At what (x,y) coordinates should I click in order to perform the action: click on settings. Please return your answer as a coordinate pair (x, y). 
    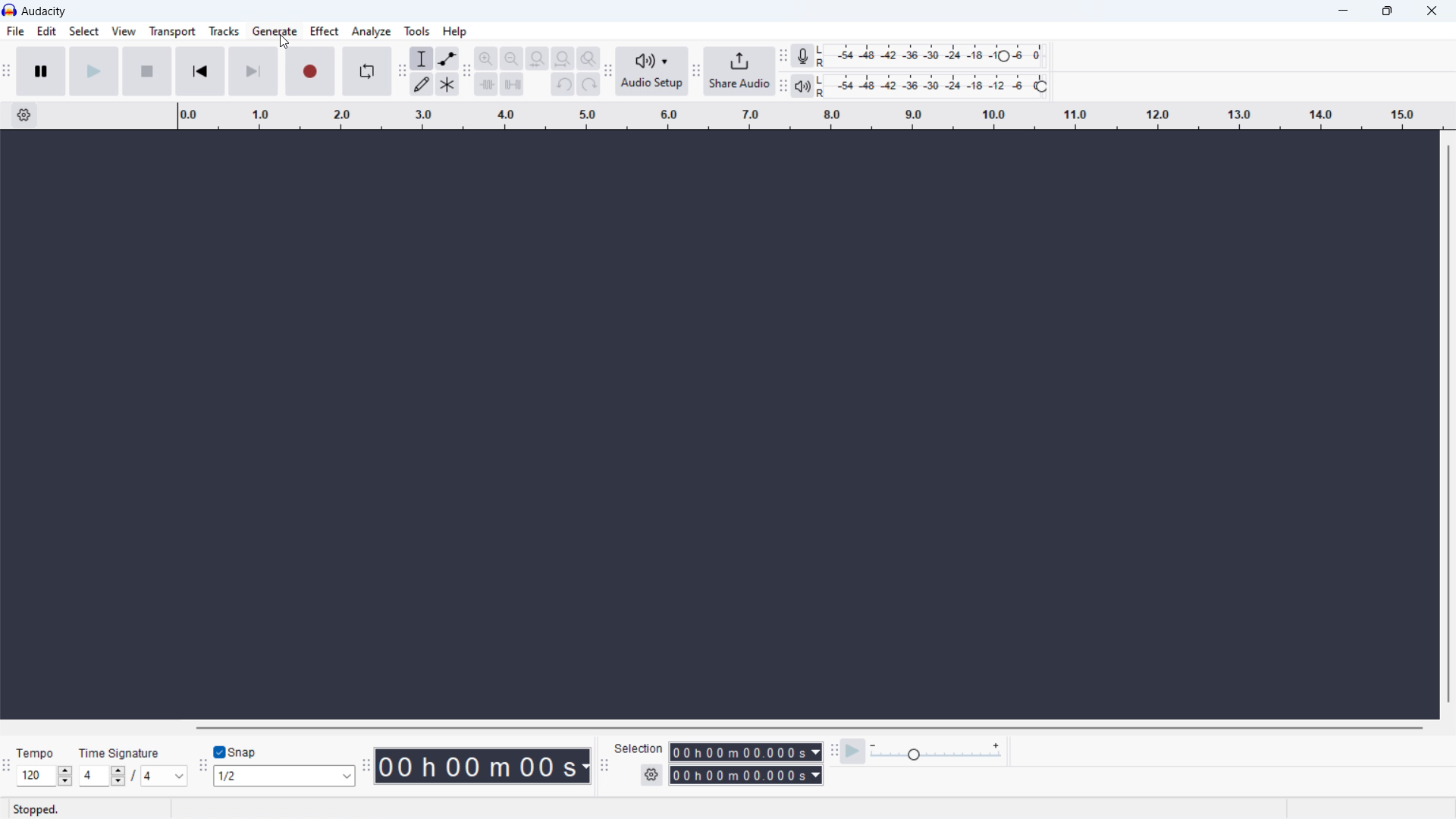
    Looking at the image, I should click on (651, 776).